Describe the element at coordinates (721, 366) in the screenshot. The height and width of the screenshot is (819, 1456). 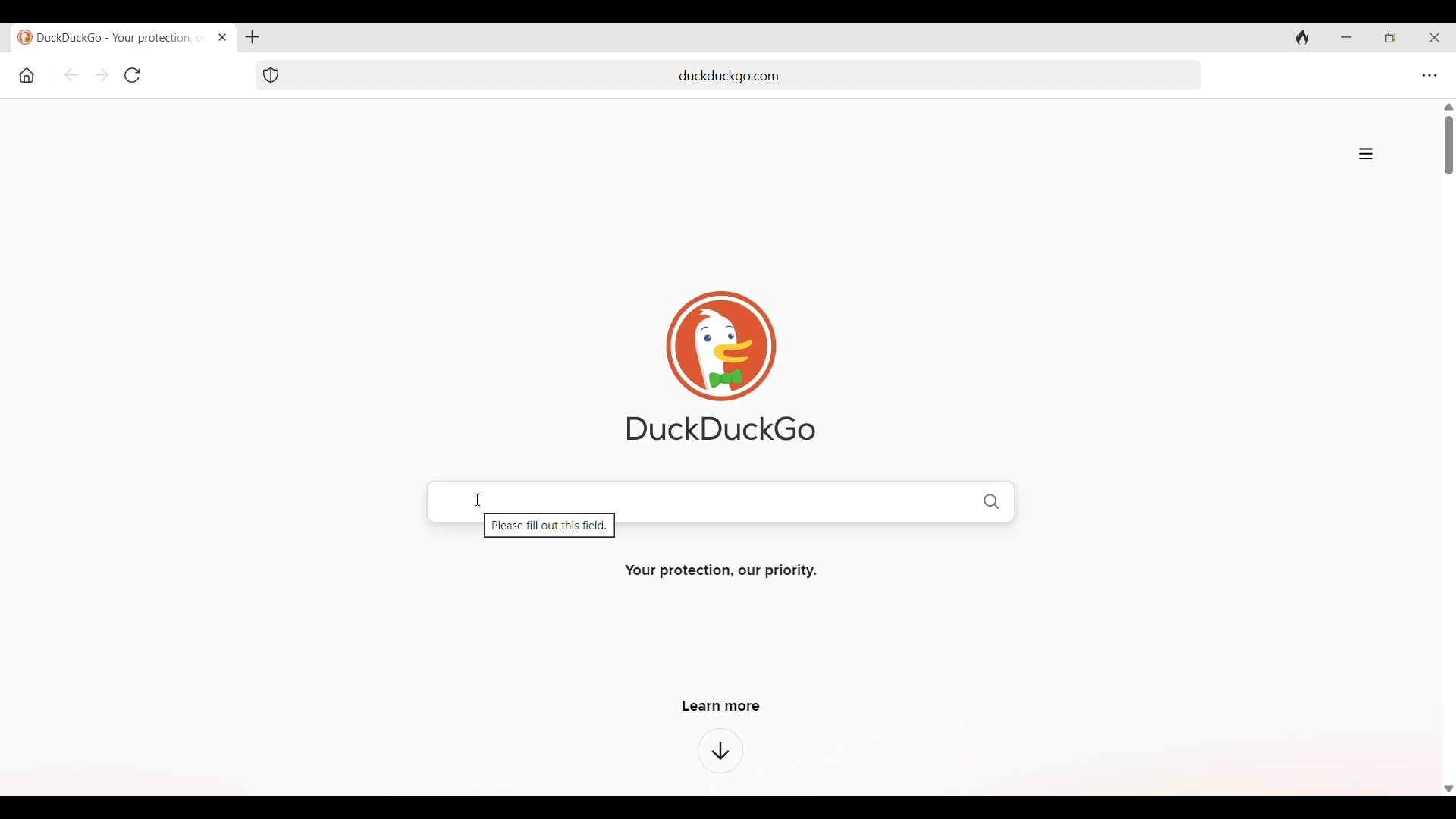
I see `DuckDuckGo logo and name` at that location.